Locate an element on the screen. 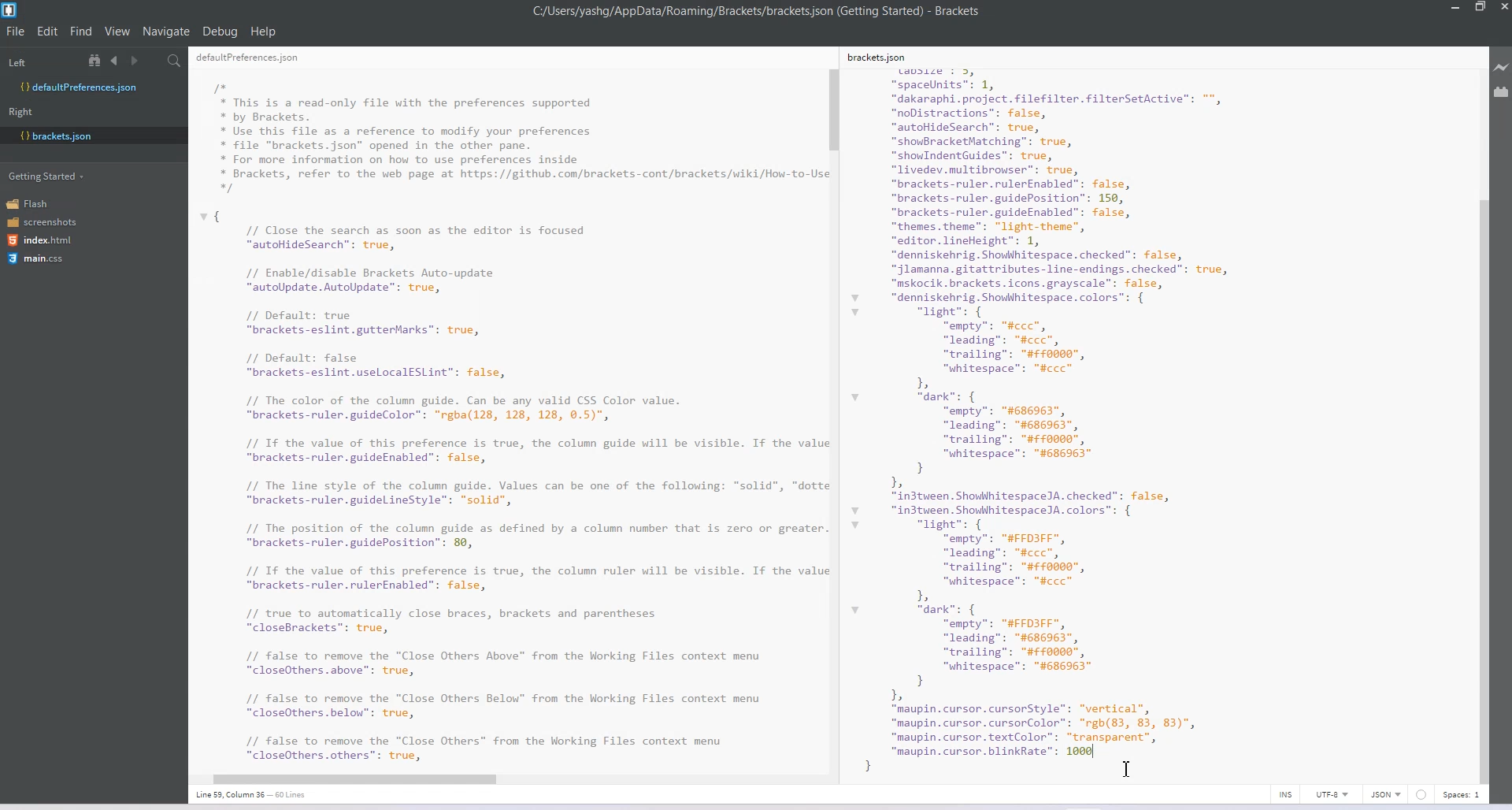 The width and height of the screenshot is (1512, 810). Right is located at coordinates (20, 112).